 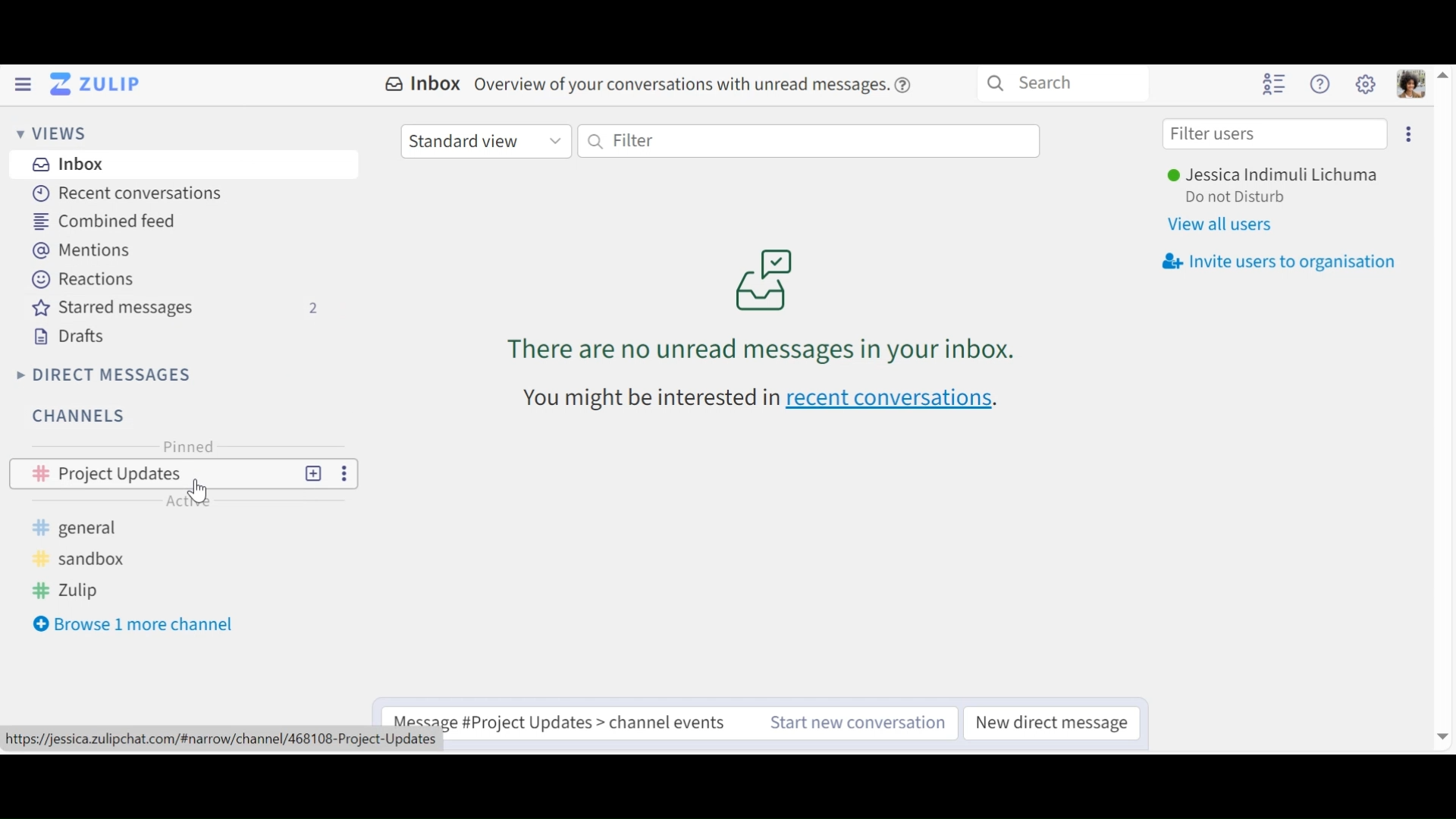 What do you see at coordinates (52, 134) in the screenshot?
I see `Views` at bounding box center [52, 134].